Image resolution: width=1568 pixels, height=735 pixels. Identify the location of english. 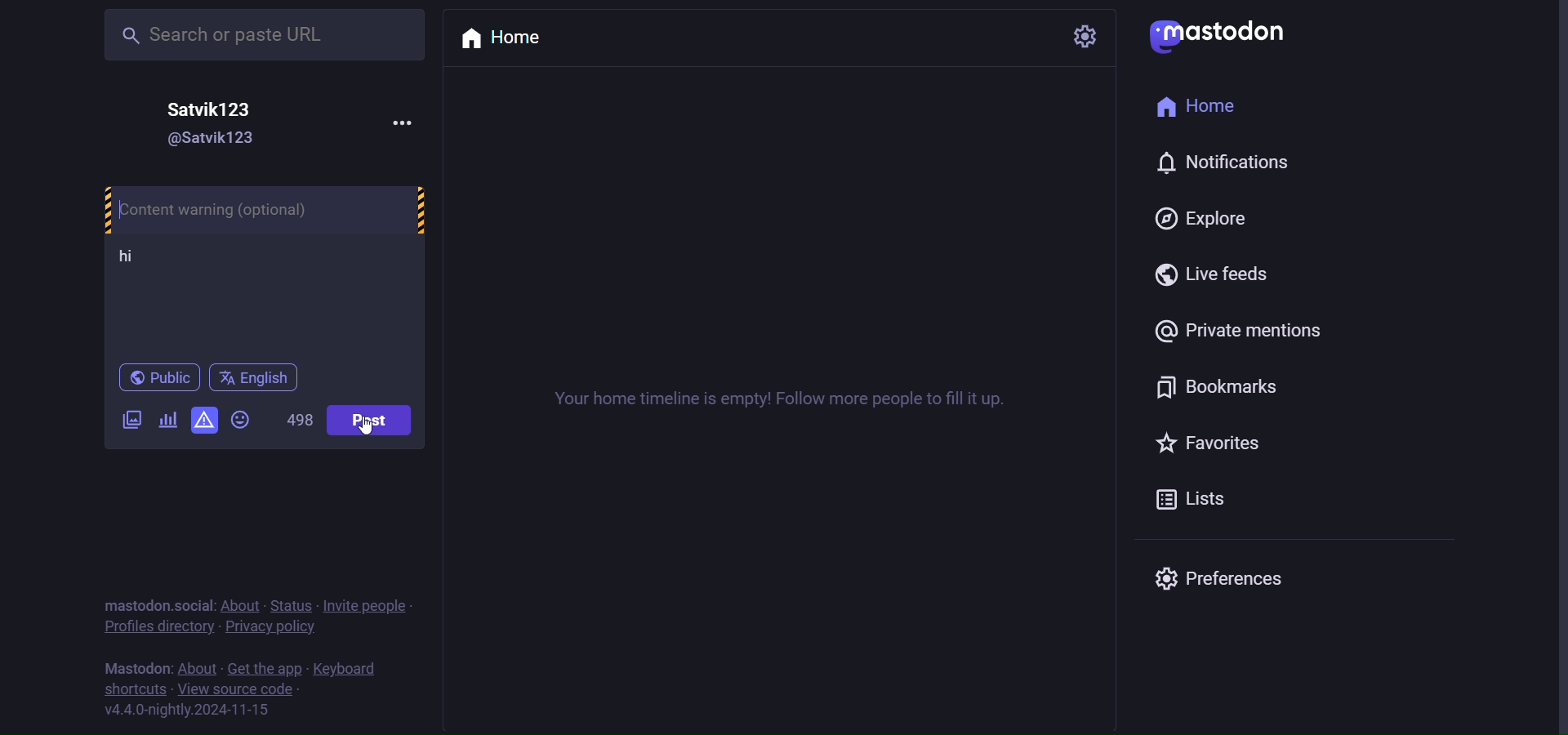
(255, 378).